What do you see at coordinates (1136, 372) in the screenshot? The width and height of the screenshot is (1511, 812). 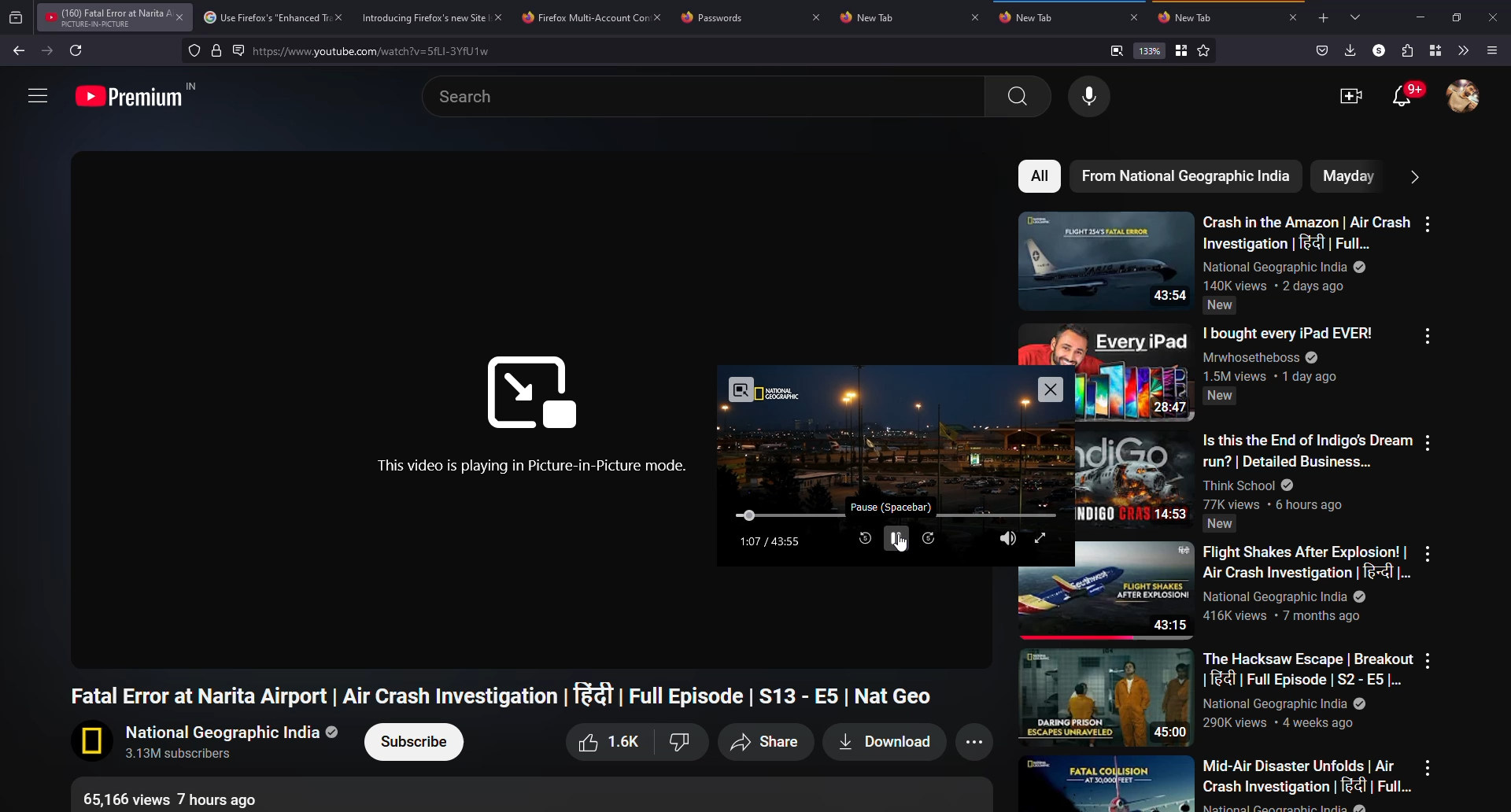 I see `Video thumbnail` at bounding box center [1136, 372].